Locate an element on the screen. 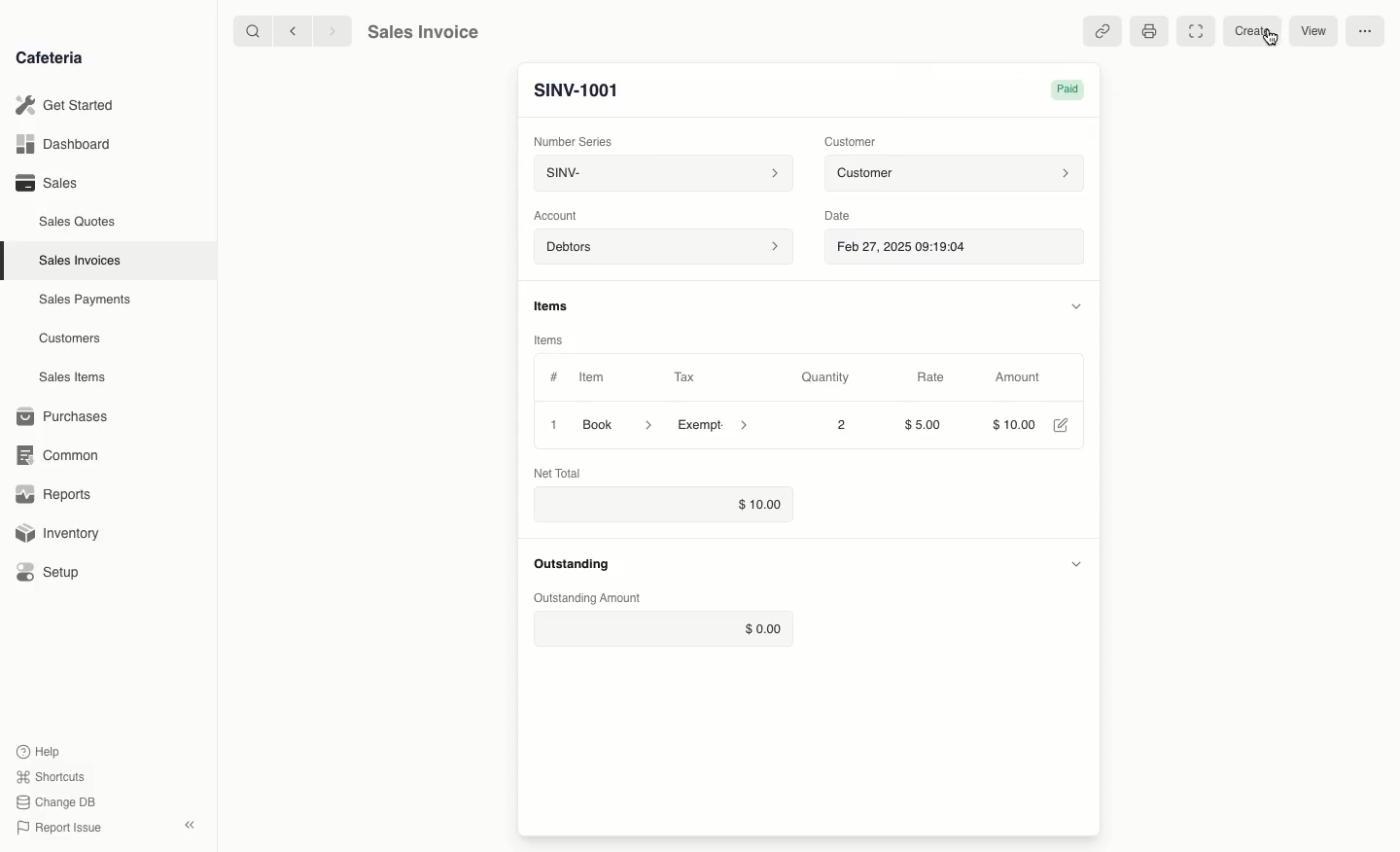 This screenshot has width=1400, height=852. ‘Common is located at coordinates (58, 454).